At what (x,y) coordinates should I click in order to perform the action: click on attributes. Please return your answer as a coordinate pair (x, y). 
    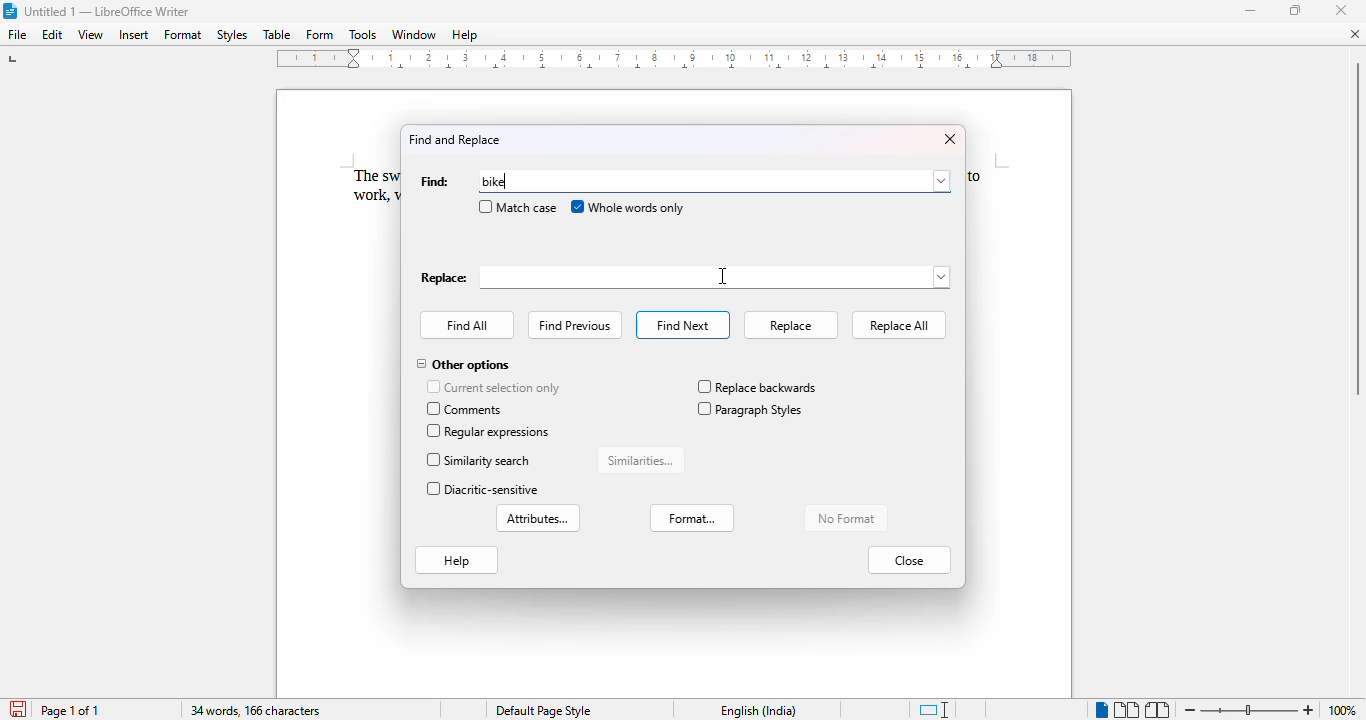
    Looking at the image, I should click on (540, 518).